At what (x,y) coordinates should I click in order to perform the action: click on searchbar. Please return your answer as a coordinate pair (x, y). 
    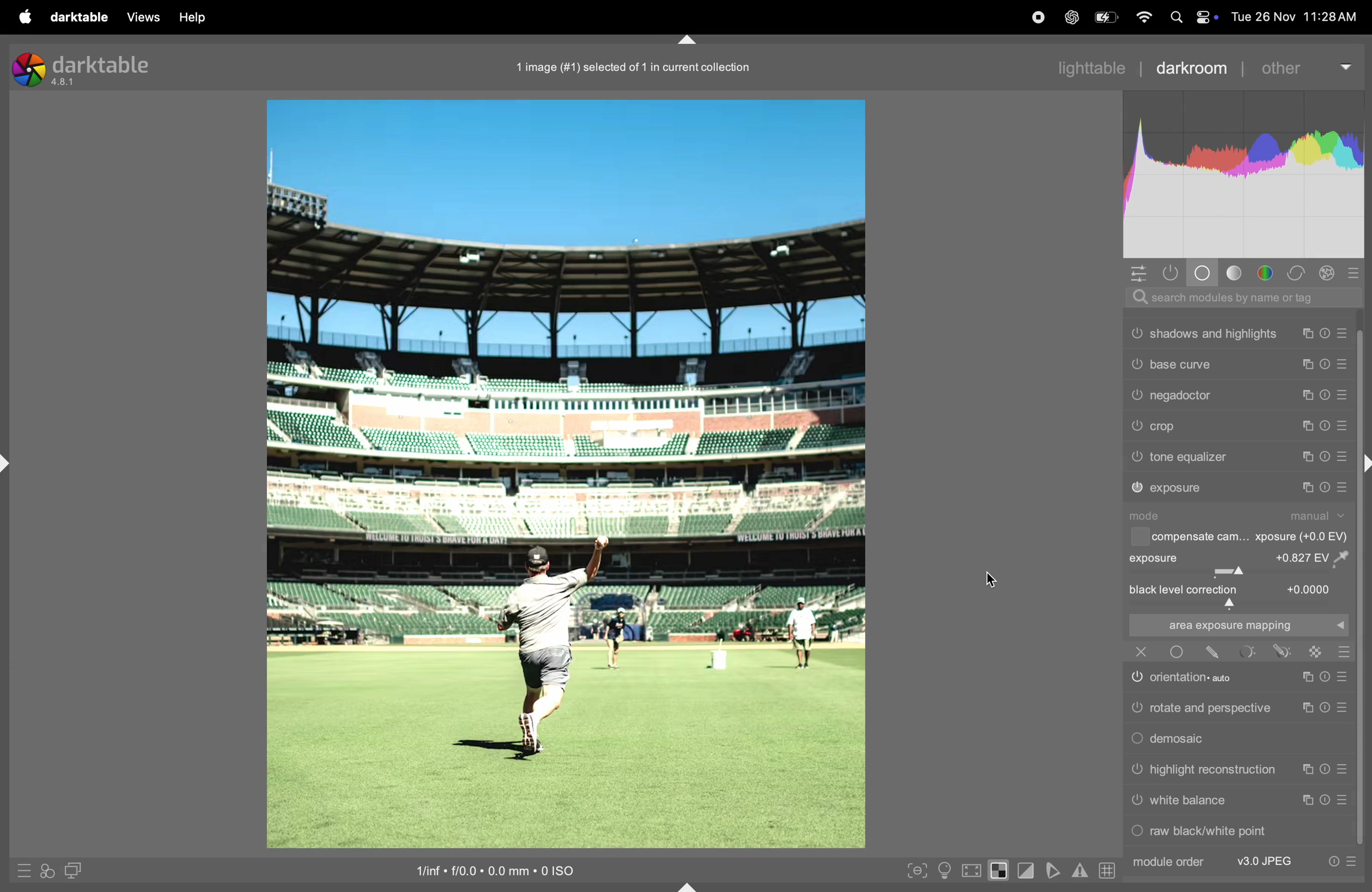
    Looking at the image, I should click on (1238, 297).